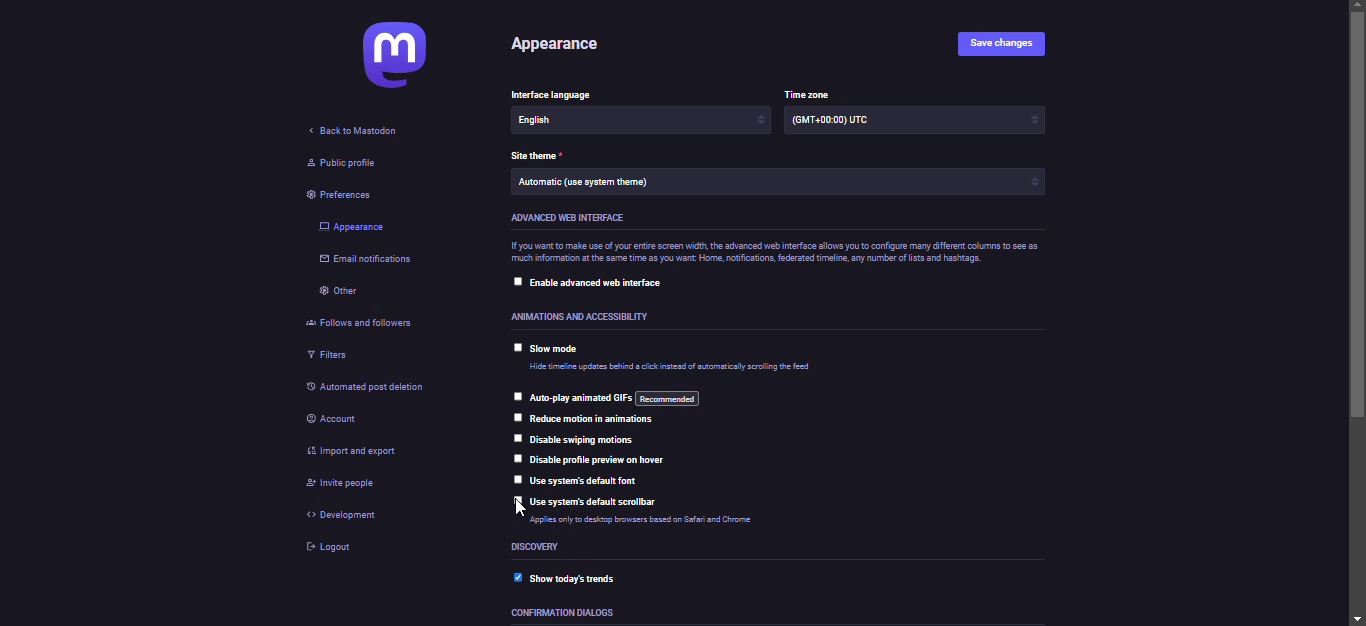 This screenshot has height=626, width=1366. I want to click on save changes, so click(998, 43).